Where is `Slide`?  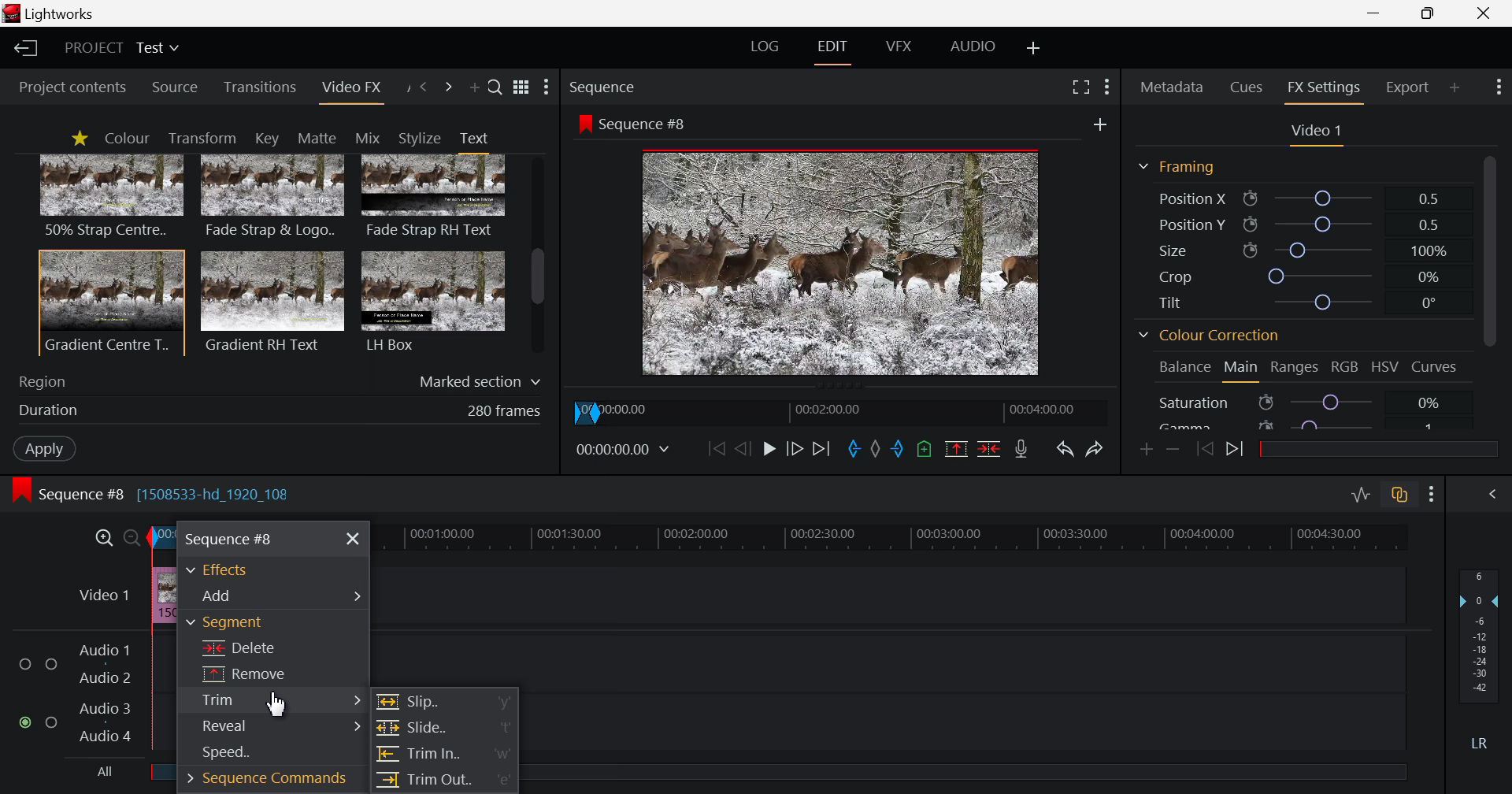
Slide is located at coordinates (443, 728).